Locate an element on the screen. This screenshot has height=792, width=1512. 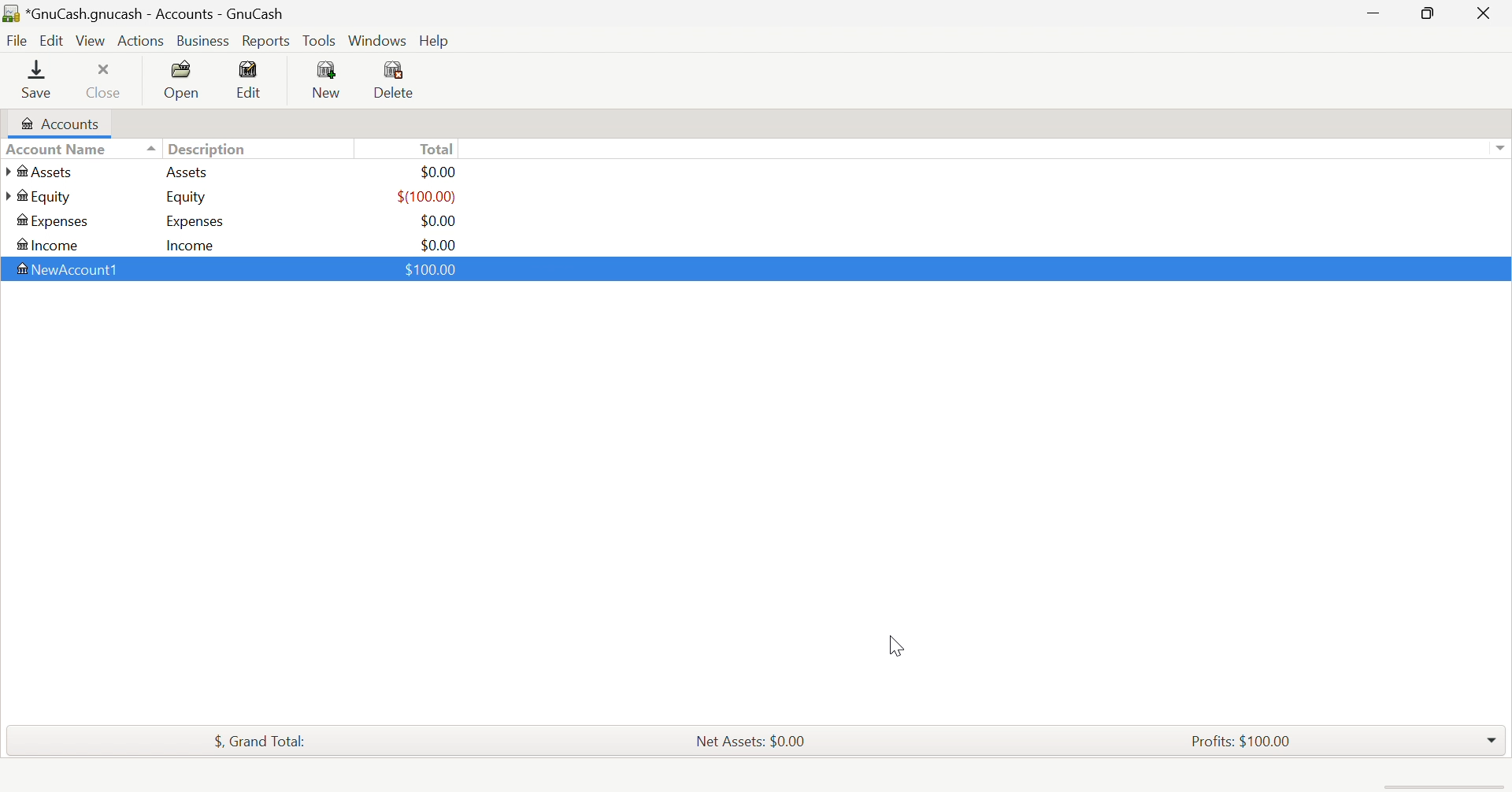
Restore Down is located at coordinates (1430, 15).